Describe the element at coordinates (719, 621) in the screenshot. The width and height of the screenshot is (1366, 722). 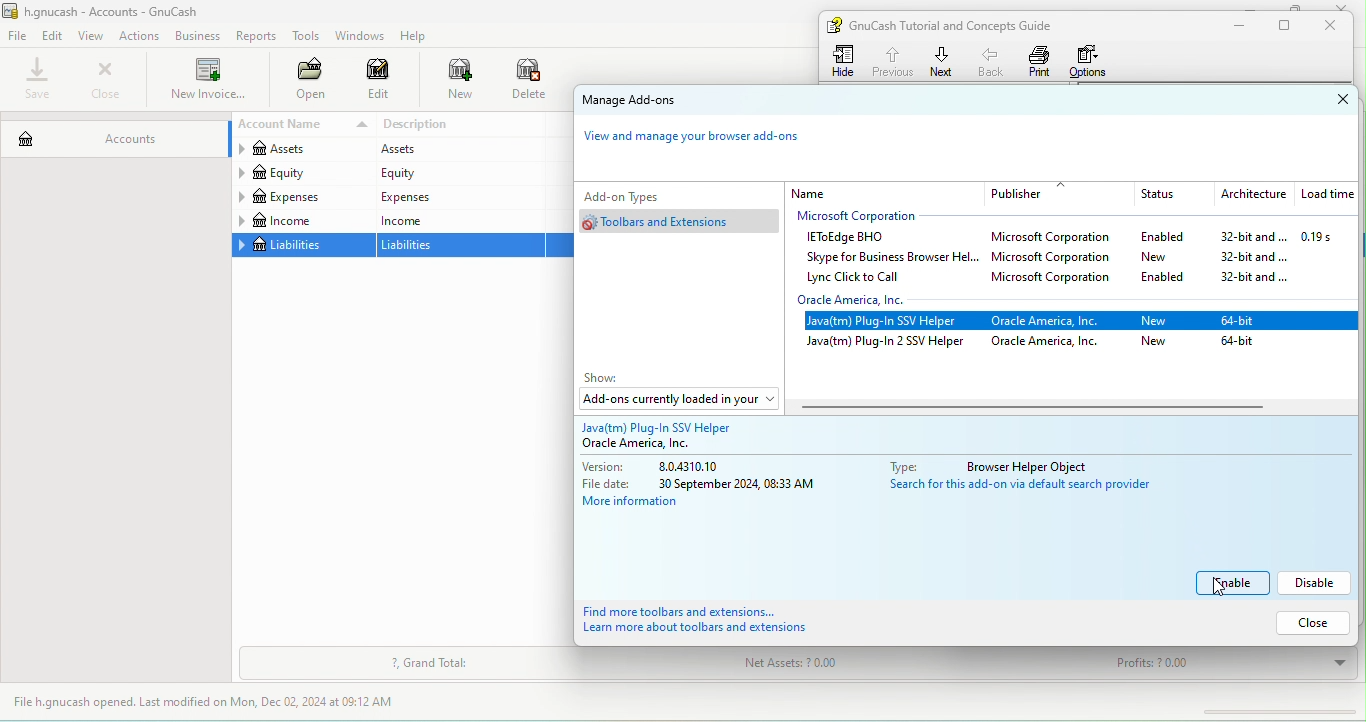
I see `find more toolbars and extensions learn more about toolbars and extensions` at that location.